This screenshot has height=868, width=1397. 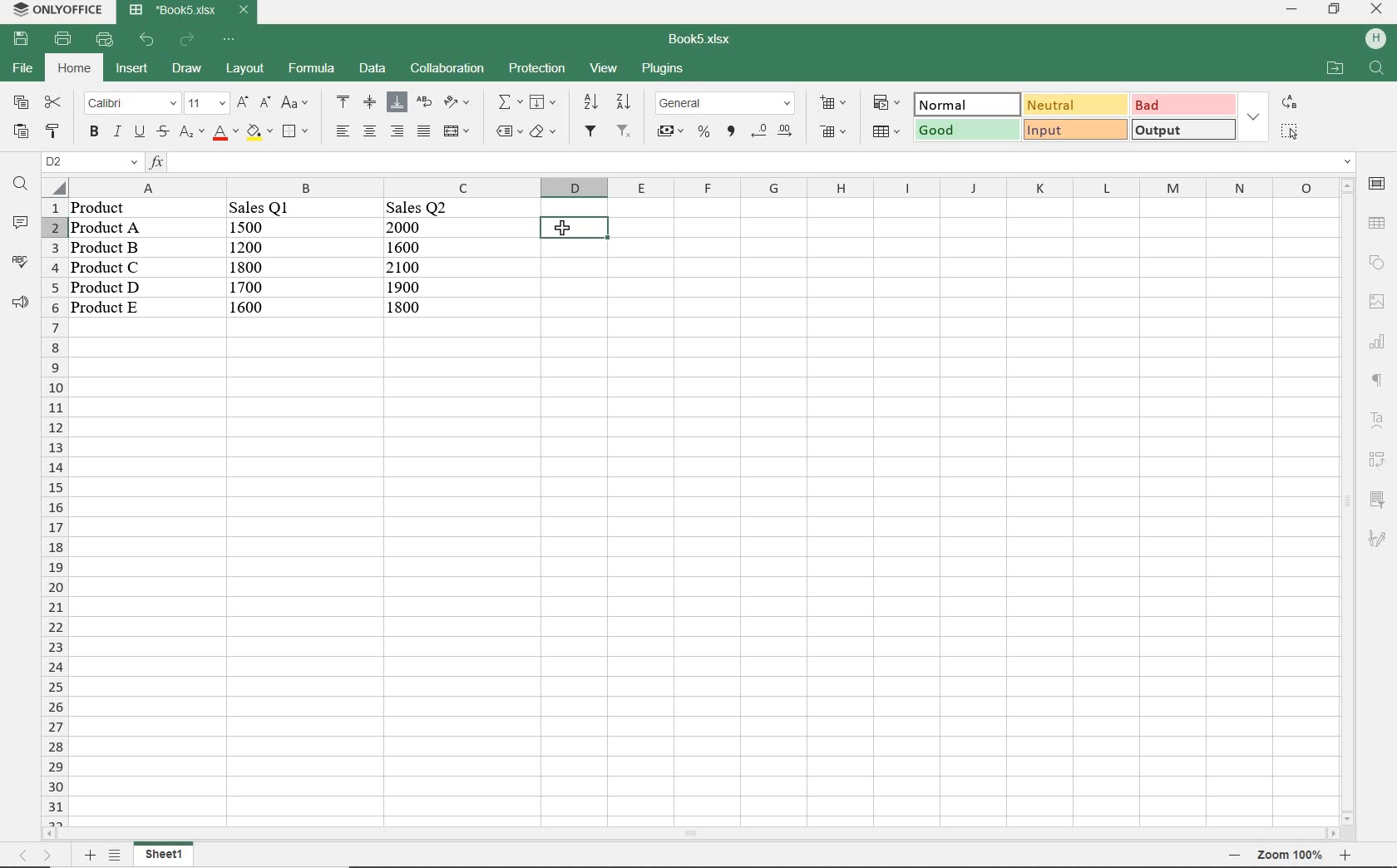 I want to click on select all, so click(x=1290, y=133).